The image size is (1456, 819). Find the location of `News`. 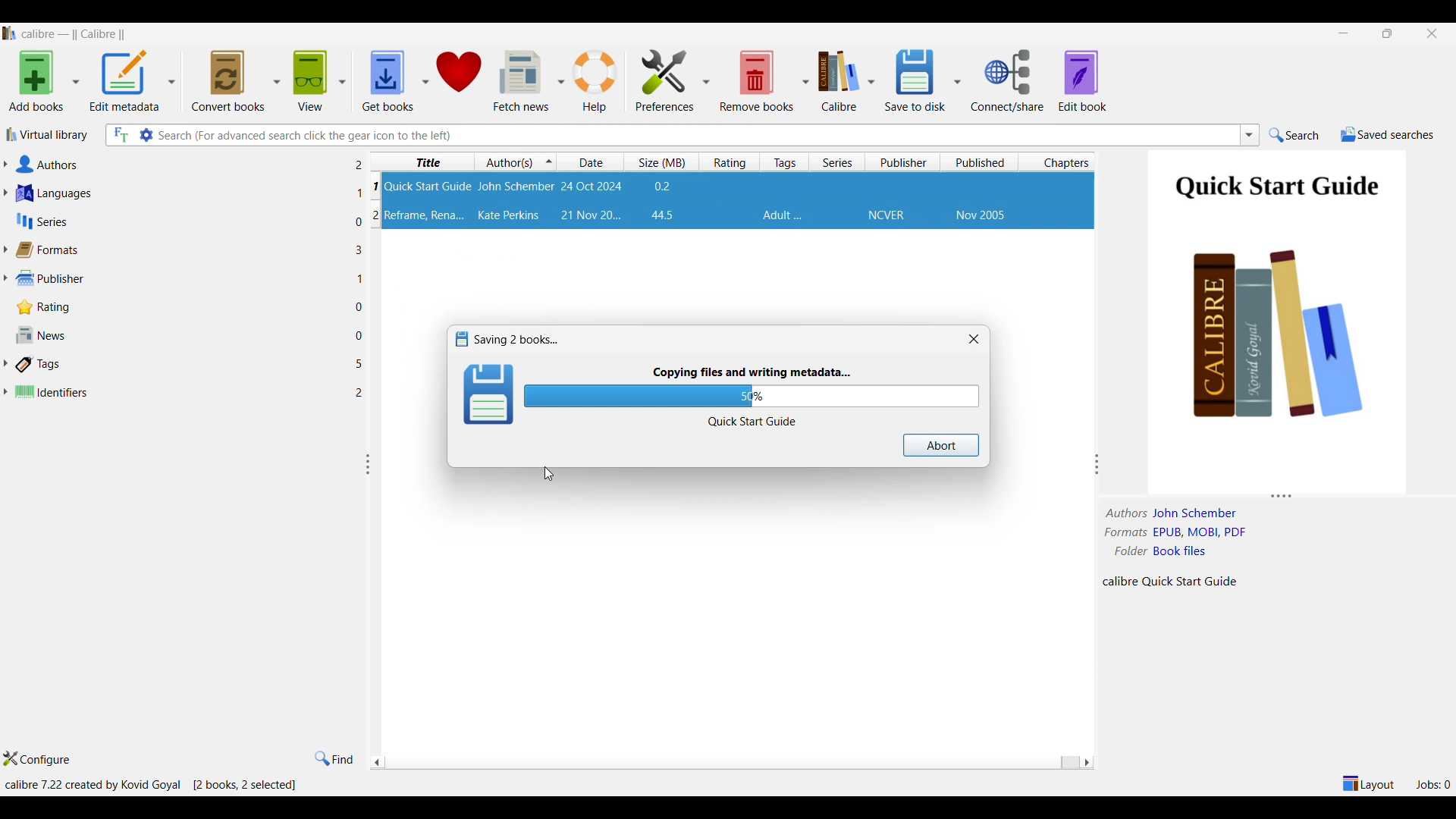

News is located at coordinates (174, 335).